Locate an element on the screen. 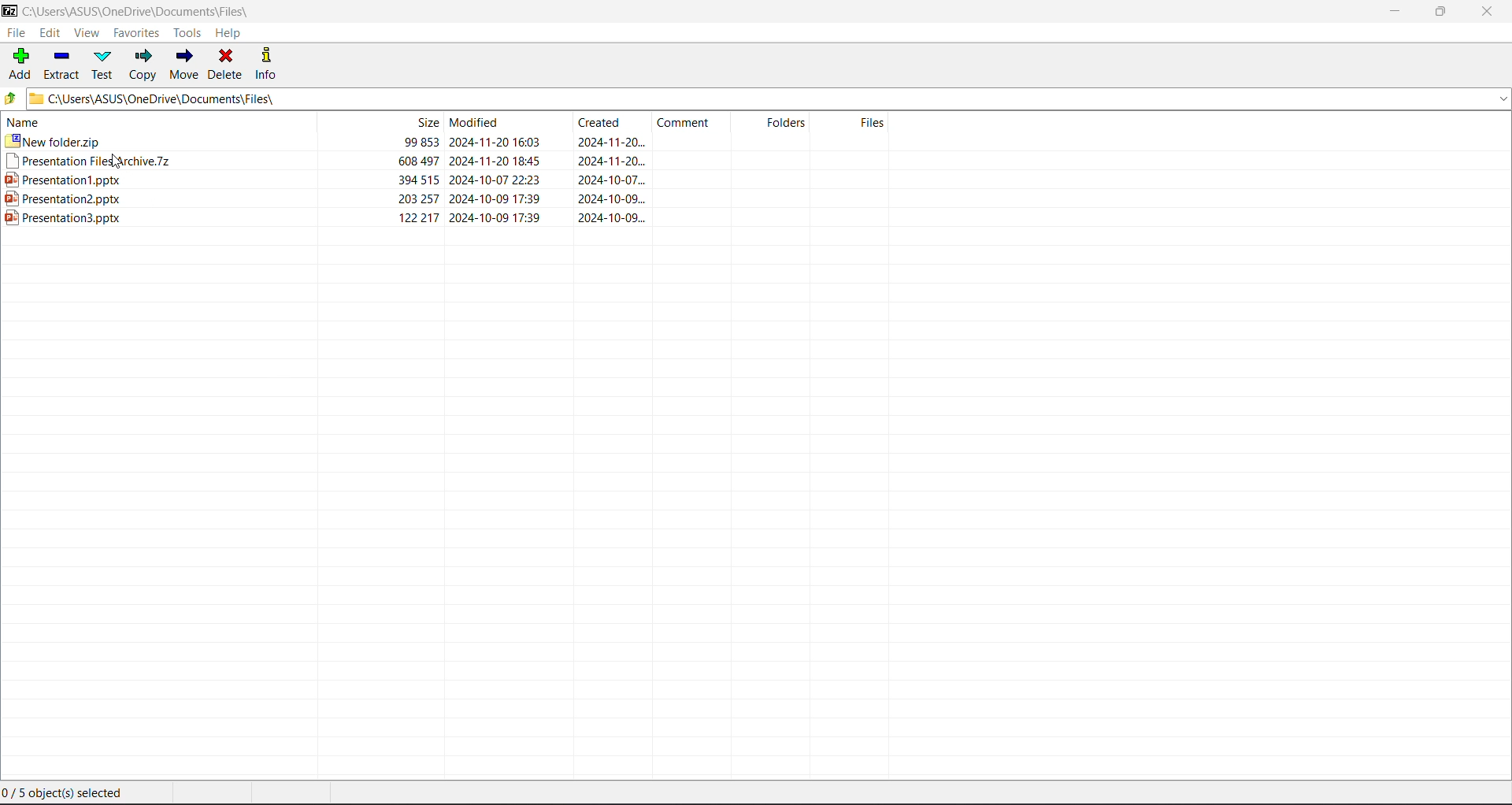  Current Folder Path is located at coordinates (769, 99).